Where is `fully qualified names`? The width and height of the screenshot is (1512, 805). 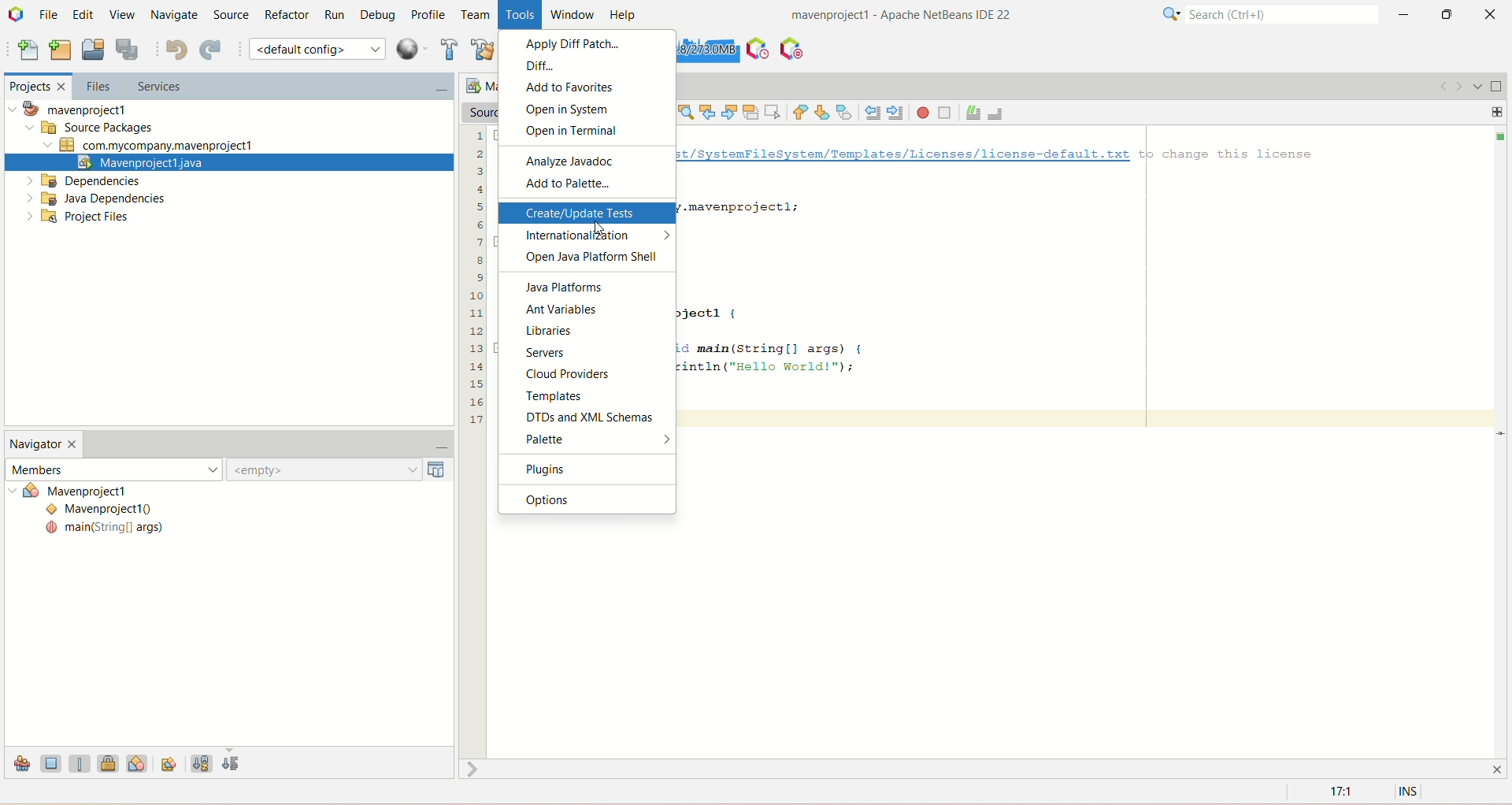 fully qualified names is located at coordinates (171, 762).